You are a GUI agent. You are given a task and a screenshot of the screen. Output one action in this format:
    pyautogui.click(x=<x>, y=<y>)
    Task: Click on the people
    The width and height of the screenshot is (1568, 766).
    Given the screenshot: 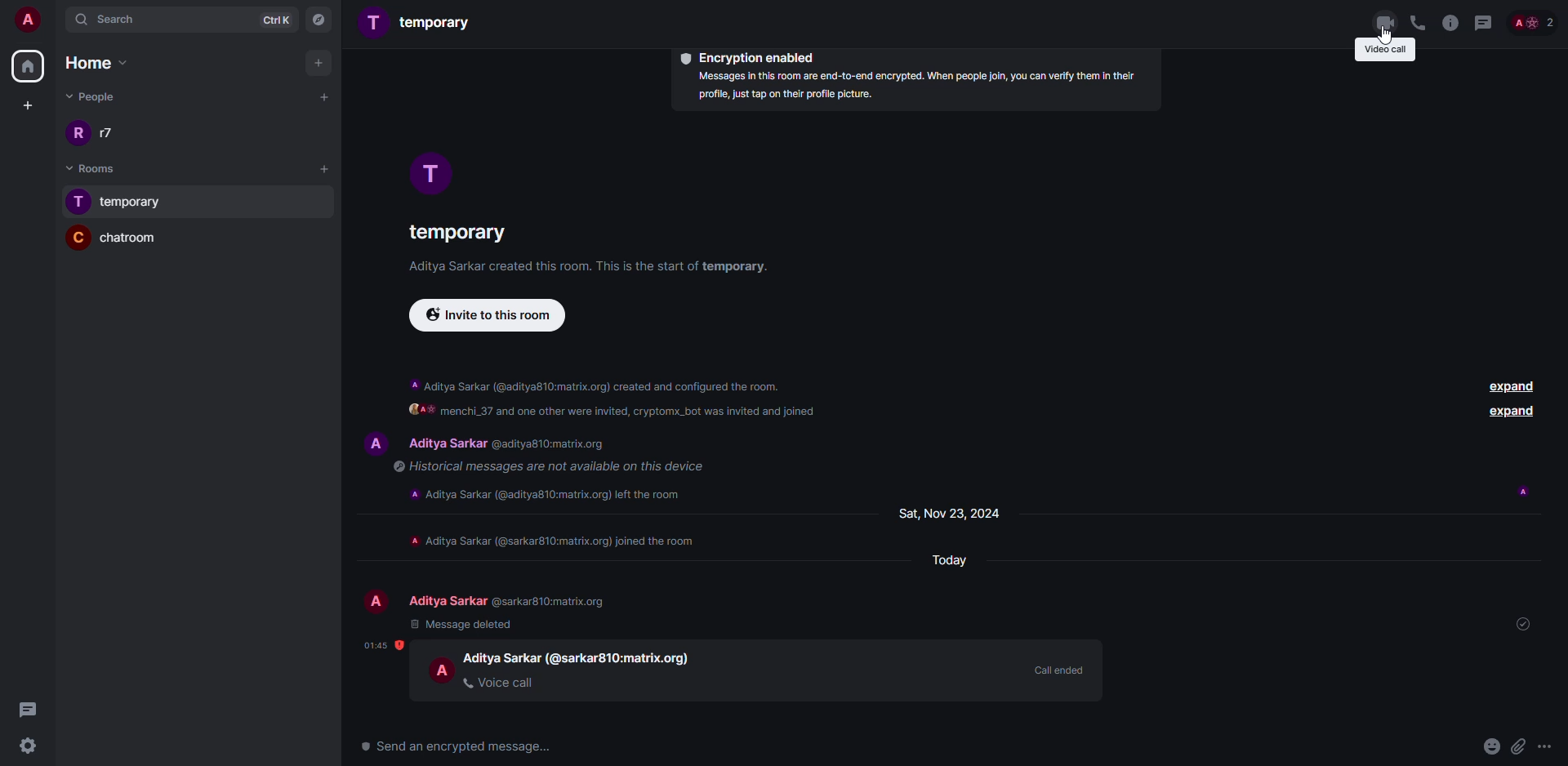 What is the action you would take?
    pyautogui.click(x=111, y=133)
    